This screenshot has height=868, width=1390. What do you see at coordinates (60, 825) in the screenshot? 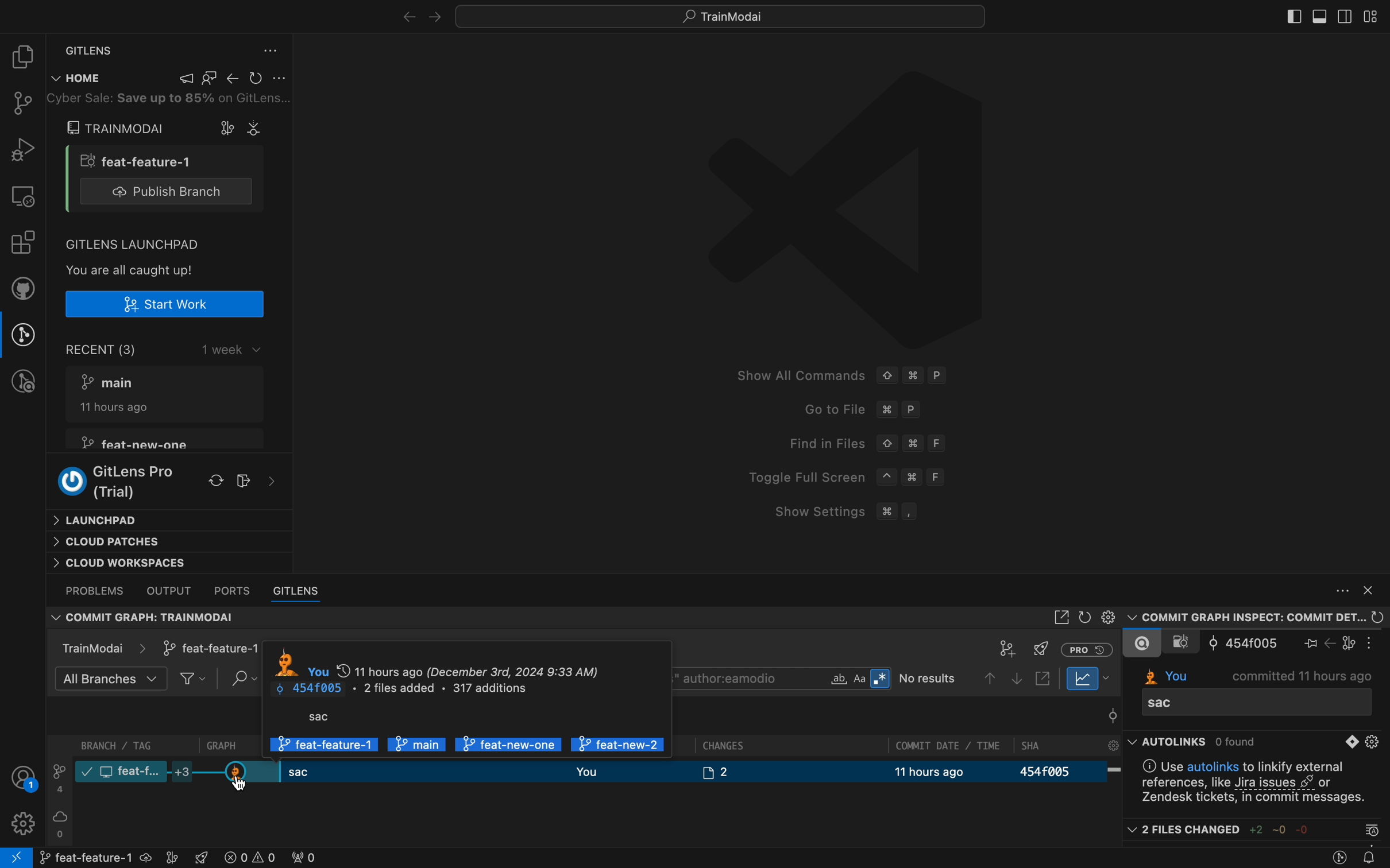
I see `server branches` at bounding box center [60, 825].